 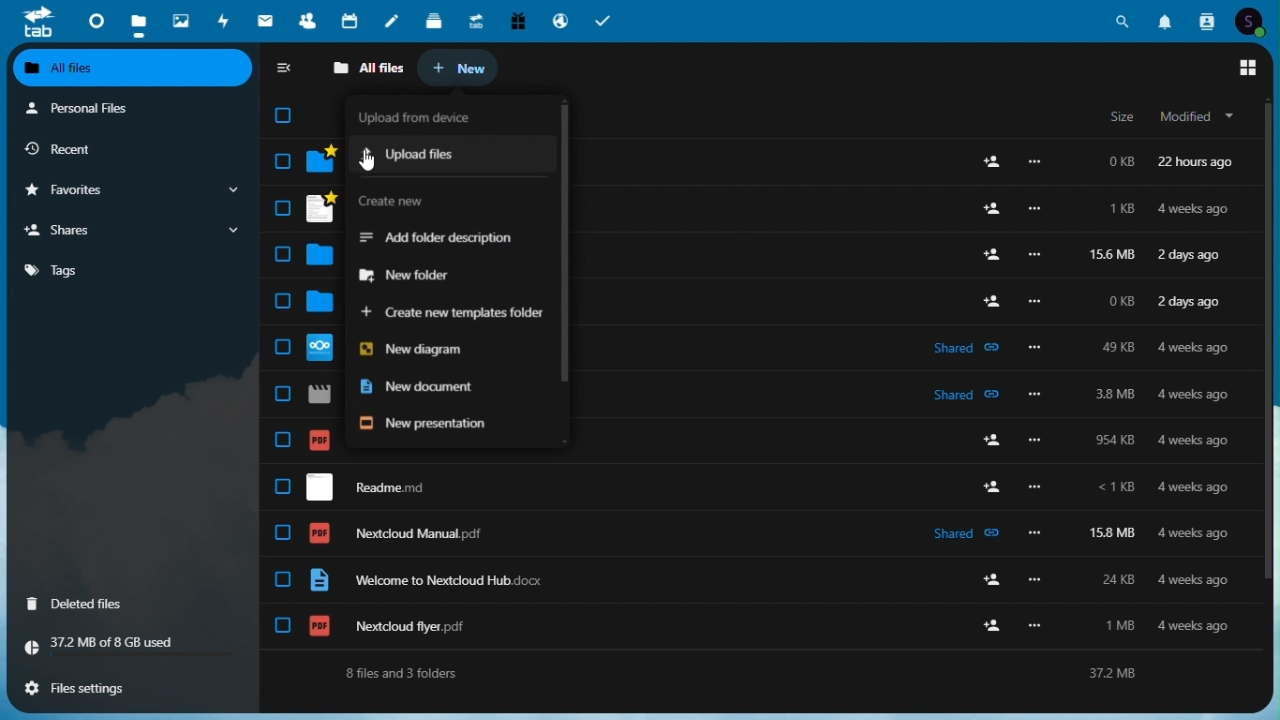 What do you see at coordinates (436, 580) in the screenshot?
I see `welcome to nextcloud hub.docx` at bounding box center [436, 580].